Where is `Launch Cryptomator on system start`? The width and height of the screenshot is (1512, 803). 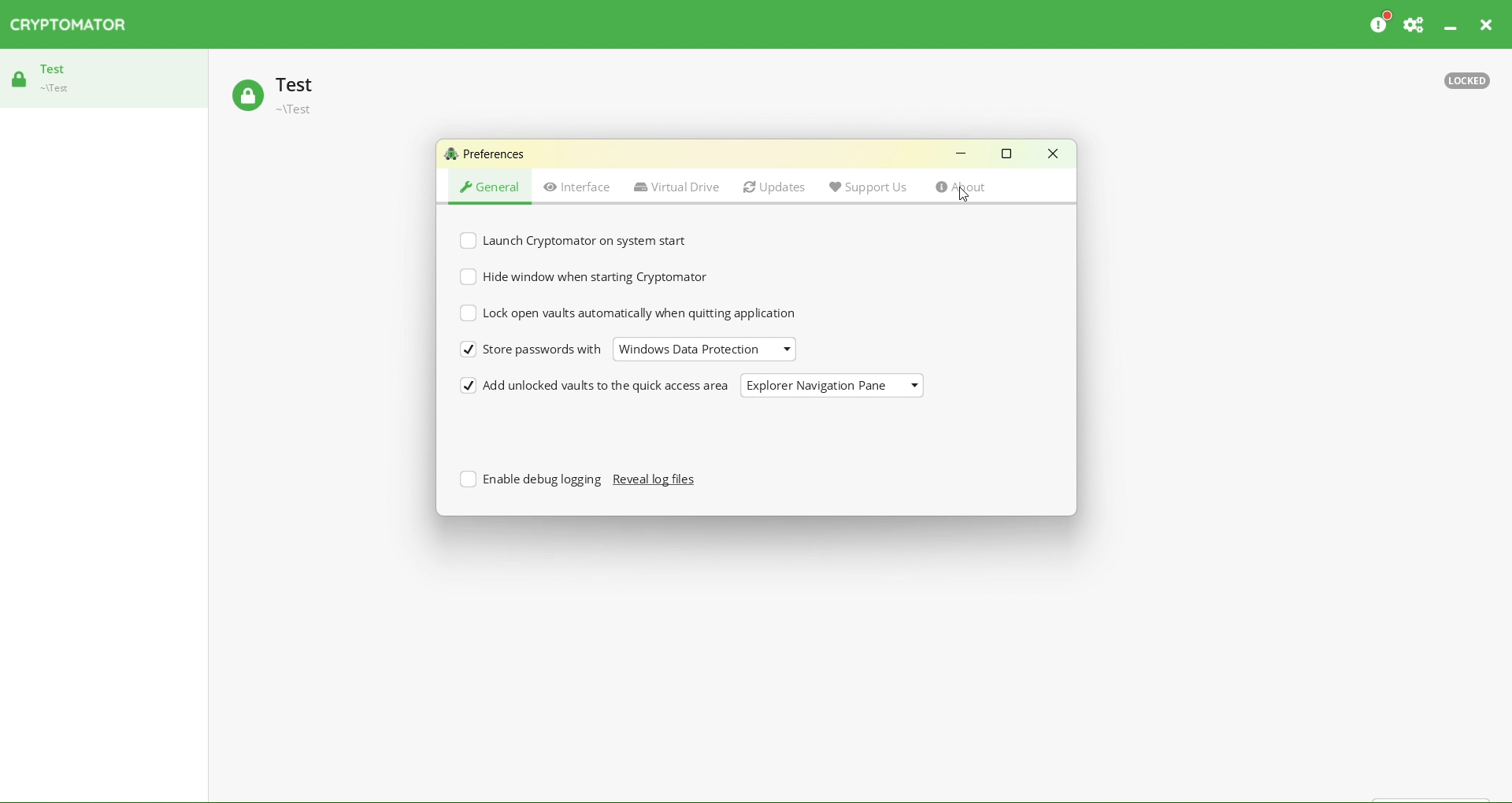 Launch Cryptomator on system start is located at coordinates (569, 237).